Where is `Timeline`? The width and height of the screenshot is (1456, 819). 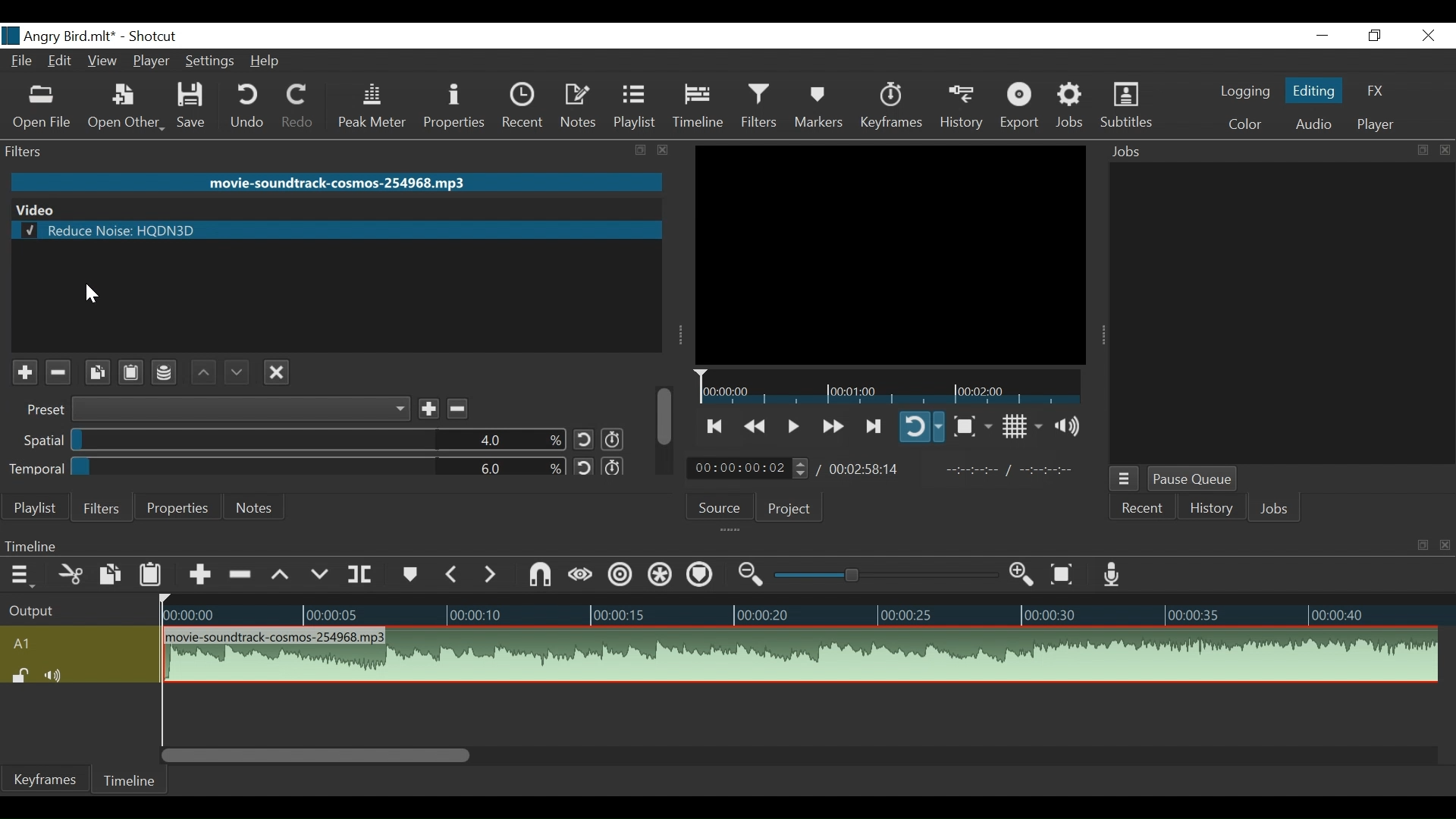 Timeline is located at coordinates (128, 780).